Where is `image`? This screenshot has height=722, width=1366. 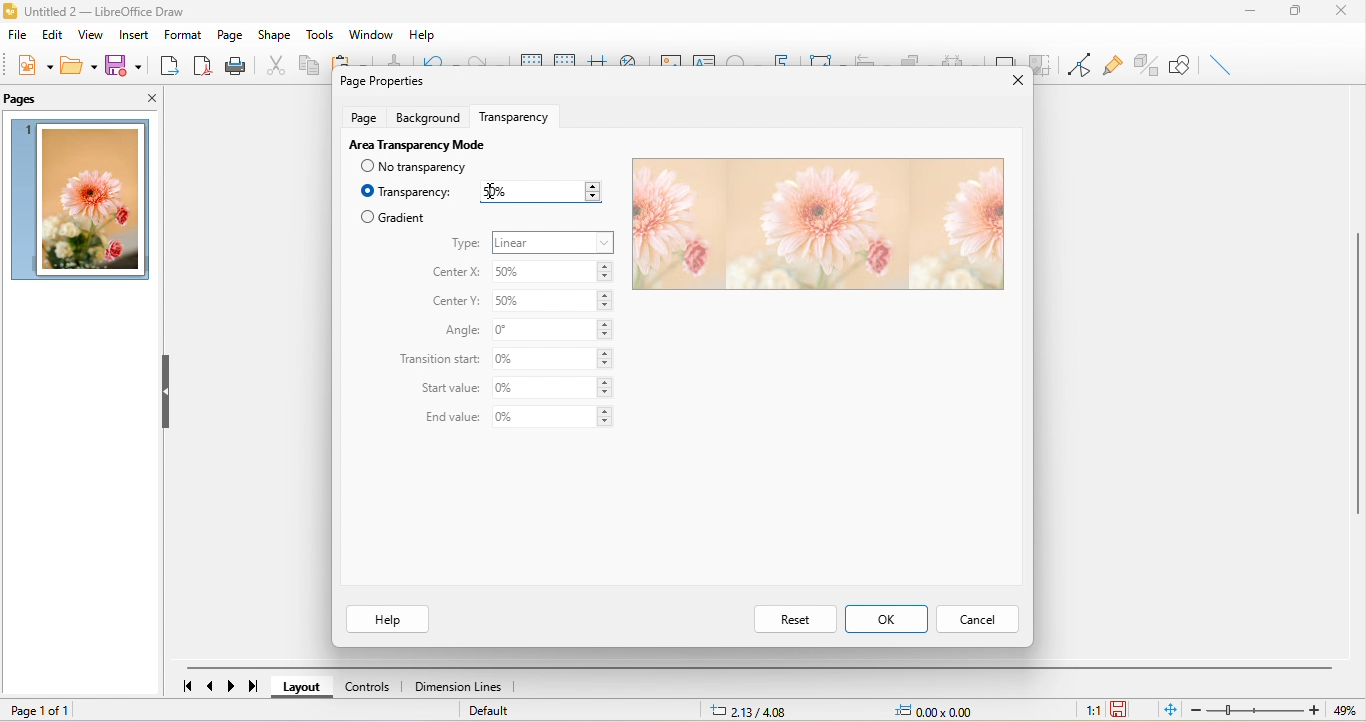
image is located at coordinates (82, 200).